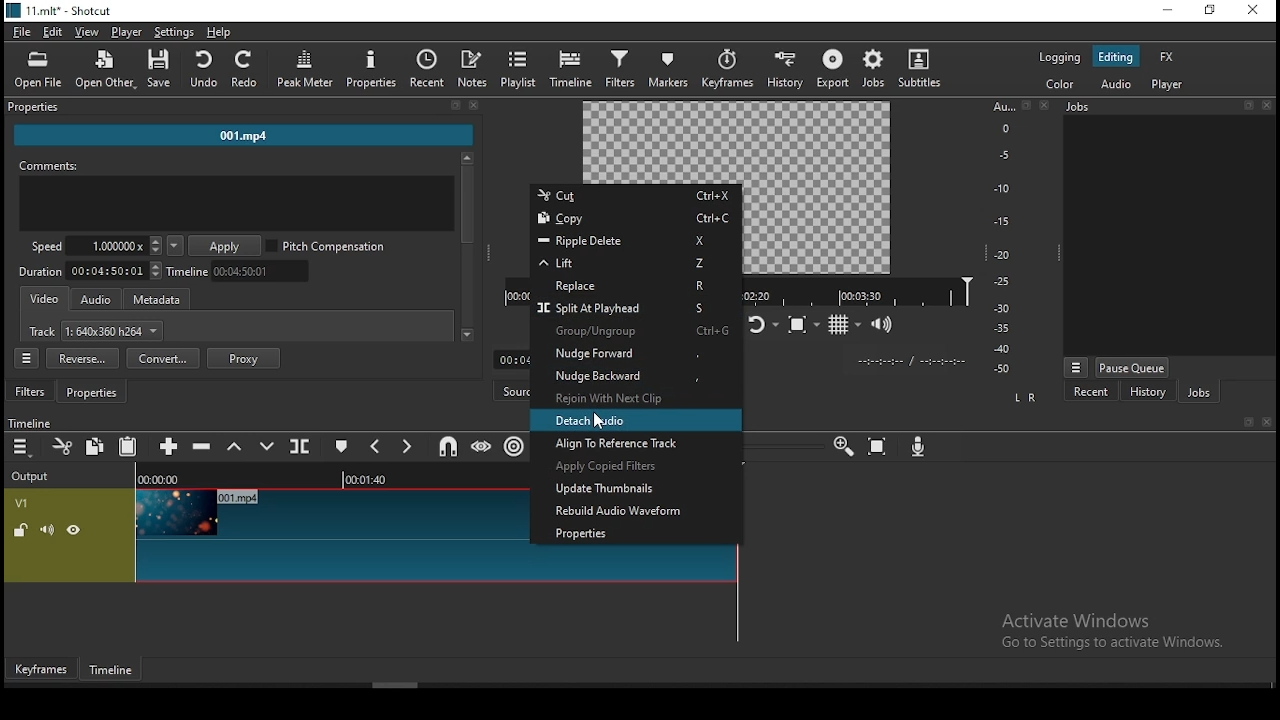 The image size is (1280, 720). Describe the element at coordinates (1209, 11) in the screenshot. I see `restore` at that location.